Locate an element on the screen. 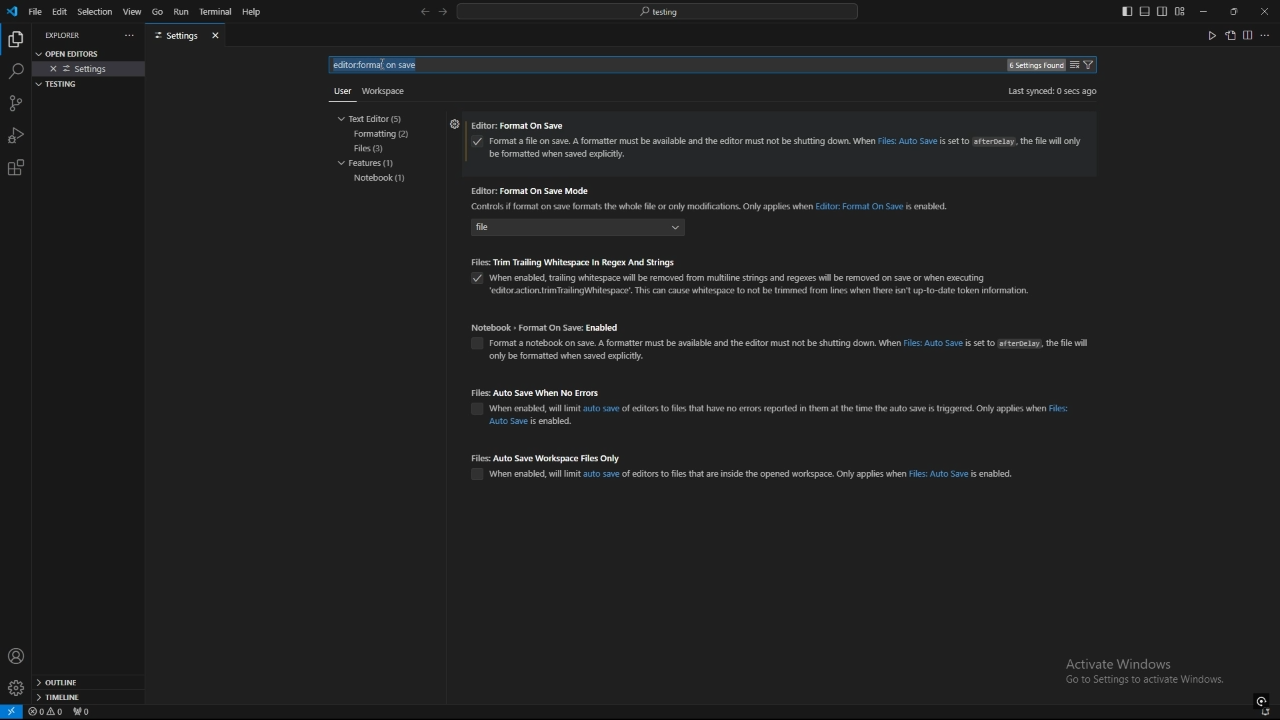 This screenshot has width=1280, height=720. text editor is located at coordinates (375, 118).